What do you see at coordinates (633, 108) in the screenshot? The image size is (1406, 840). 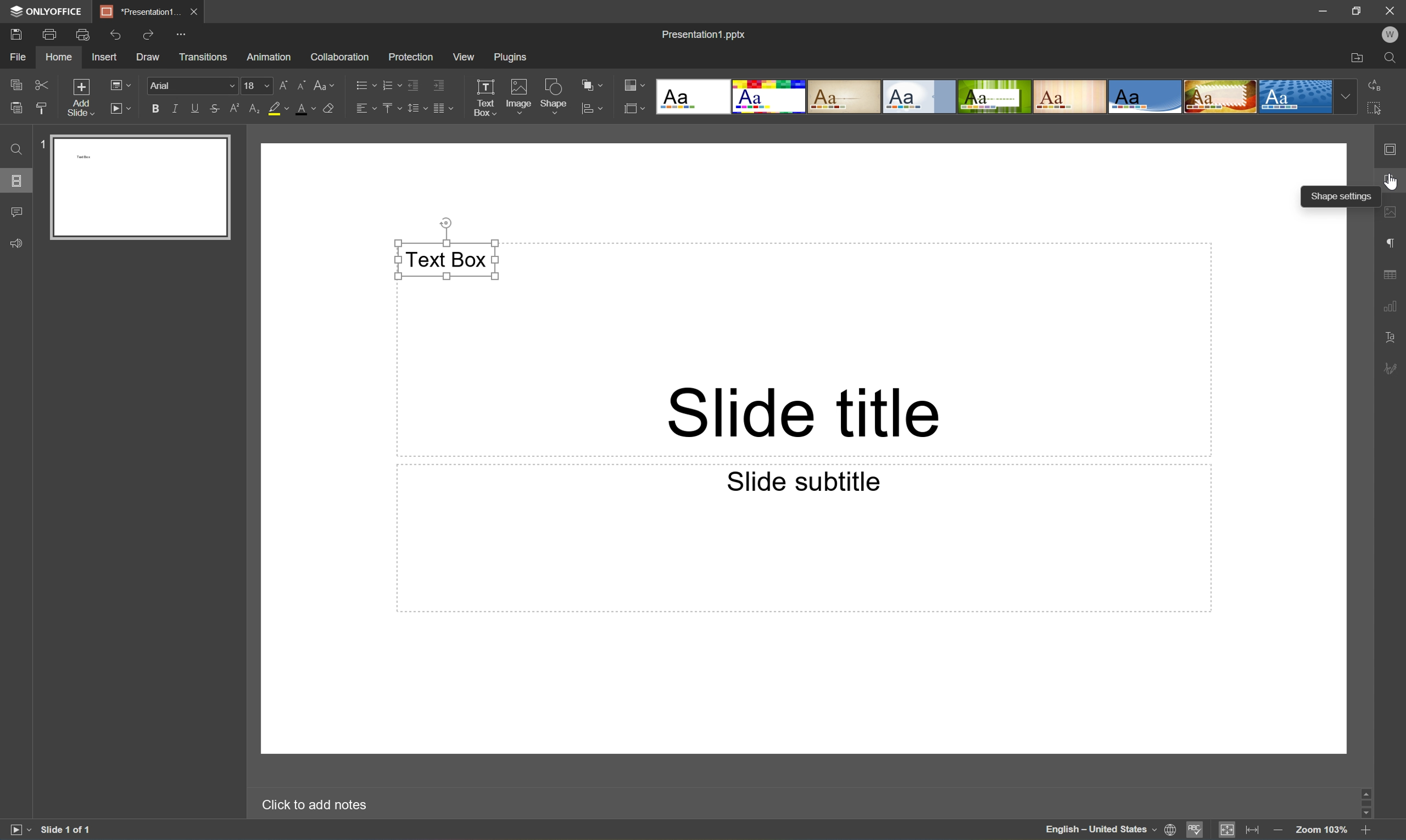 I see `Select Slide size` at bounding box center [633, 108].